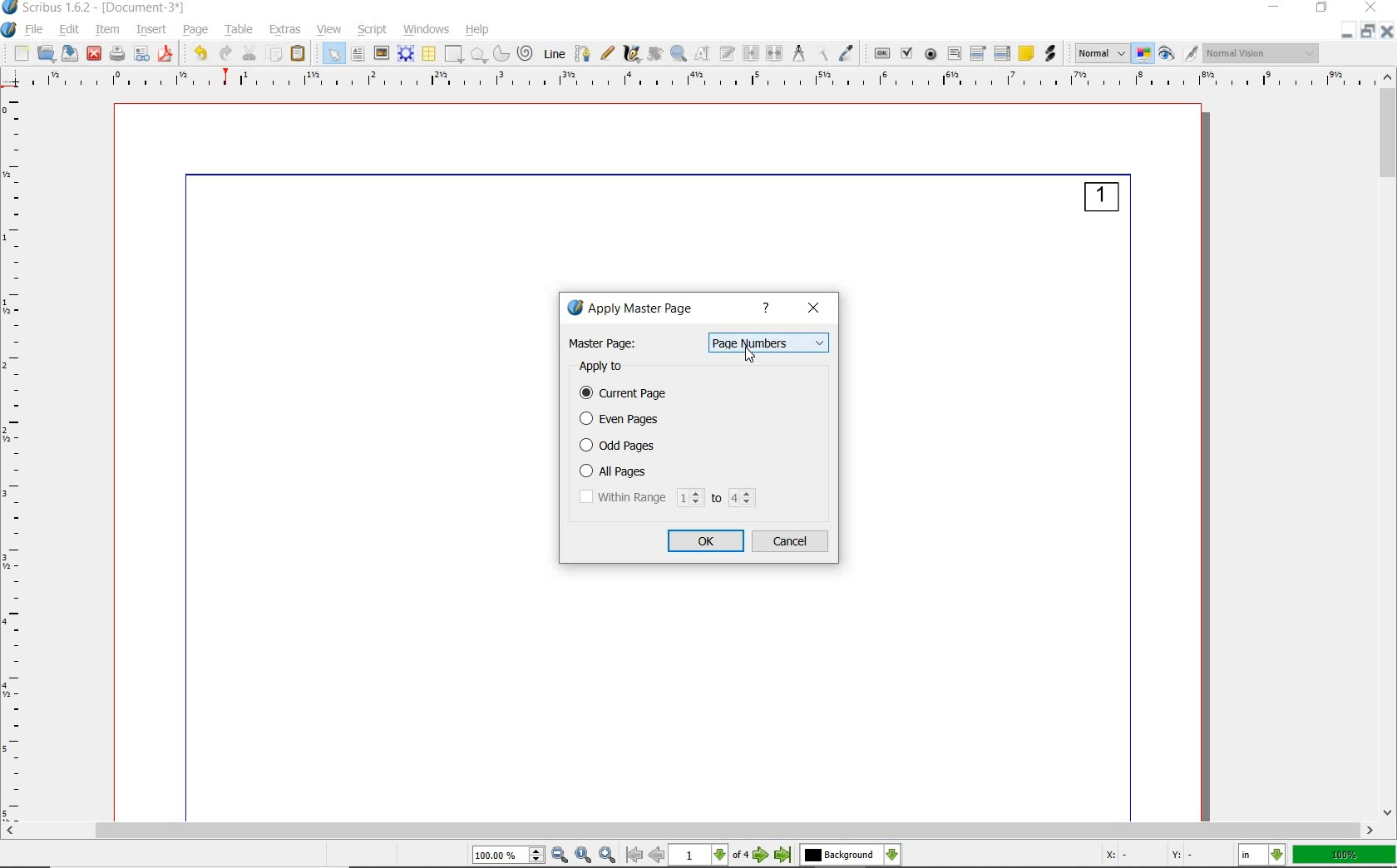 The image size is (1397, 868). Describe the element at coordinates (1148, 856) in the screenshot. I see `X: - Y: -` at that location.